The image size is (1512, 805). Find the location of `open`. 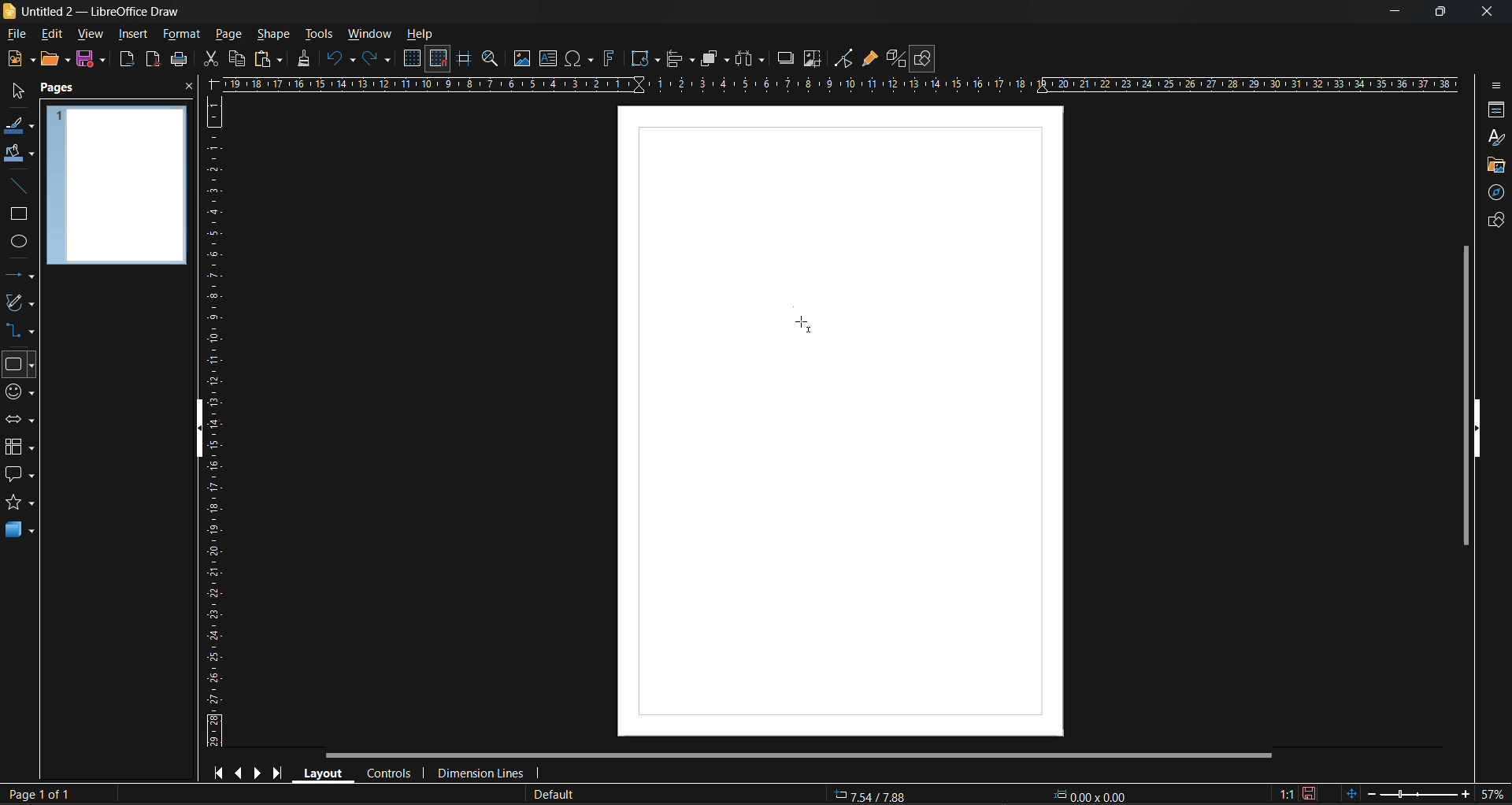

open is located at coordinates (55, 60).